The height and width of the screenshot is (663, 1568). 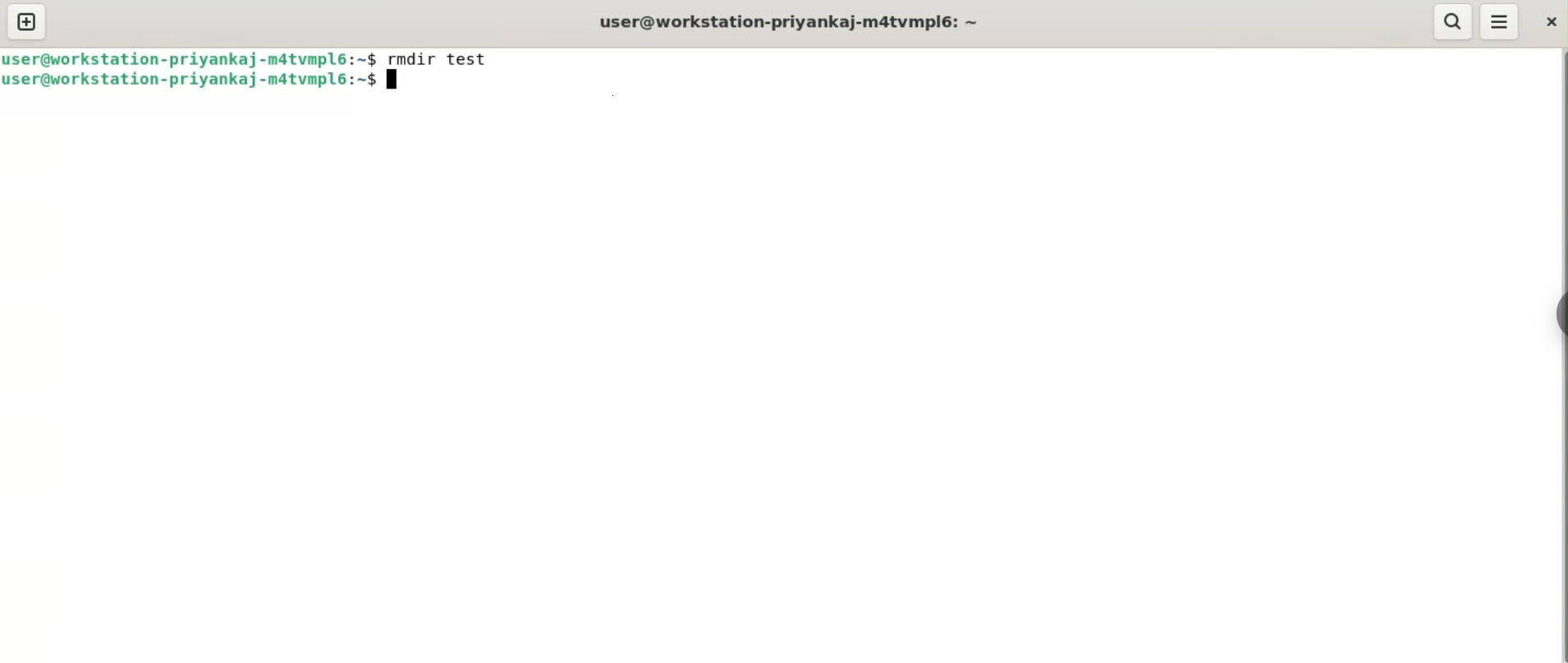 What do you see at coordinates (29, 22) in the screenshot?
I see `new tab` at bounding box center [29, 22].